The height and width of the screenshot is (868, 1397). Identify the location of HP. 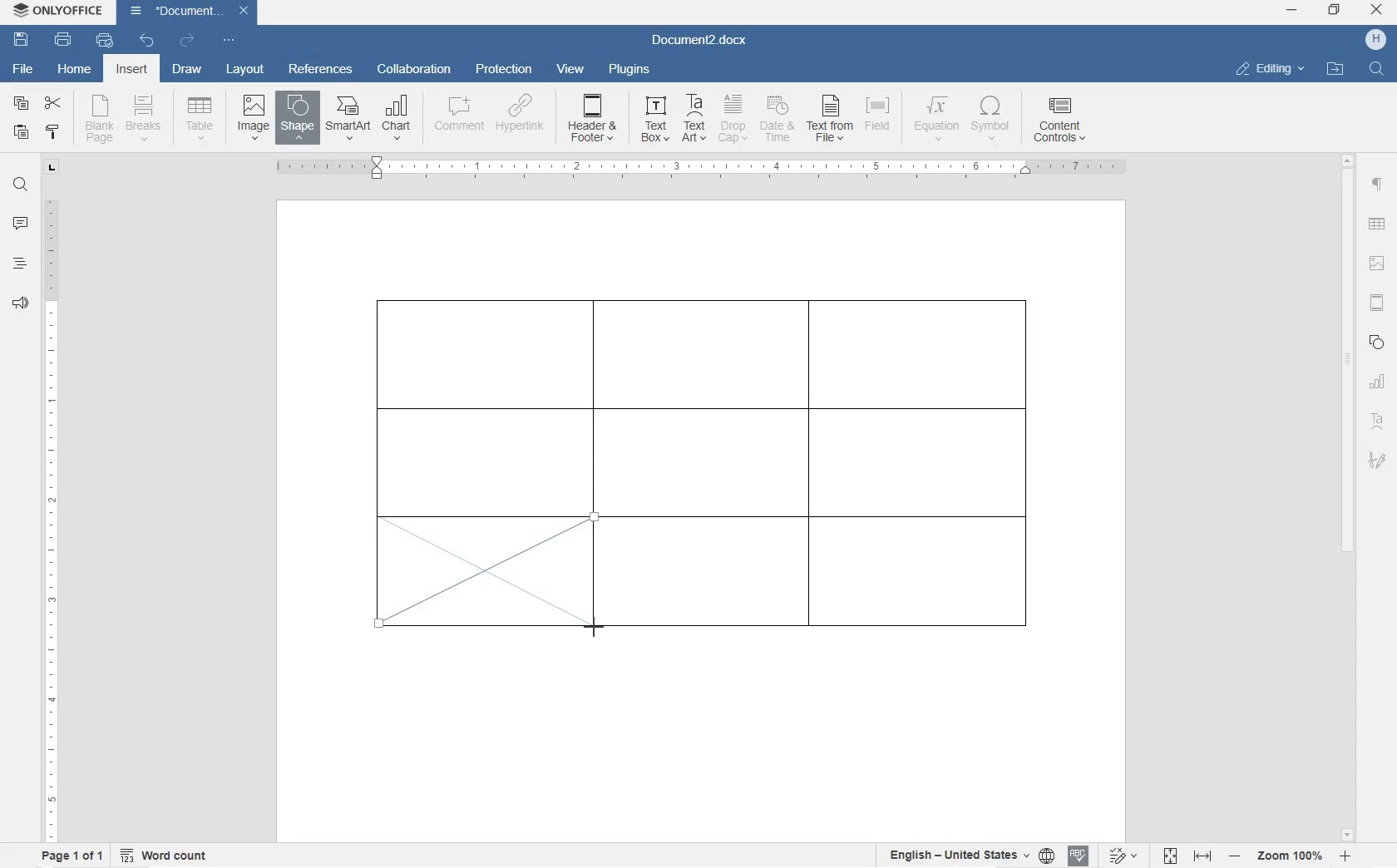
(1375, 40).